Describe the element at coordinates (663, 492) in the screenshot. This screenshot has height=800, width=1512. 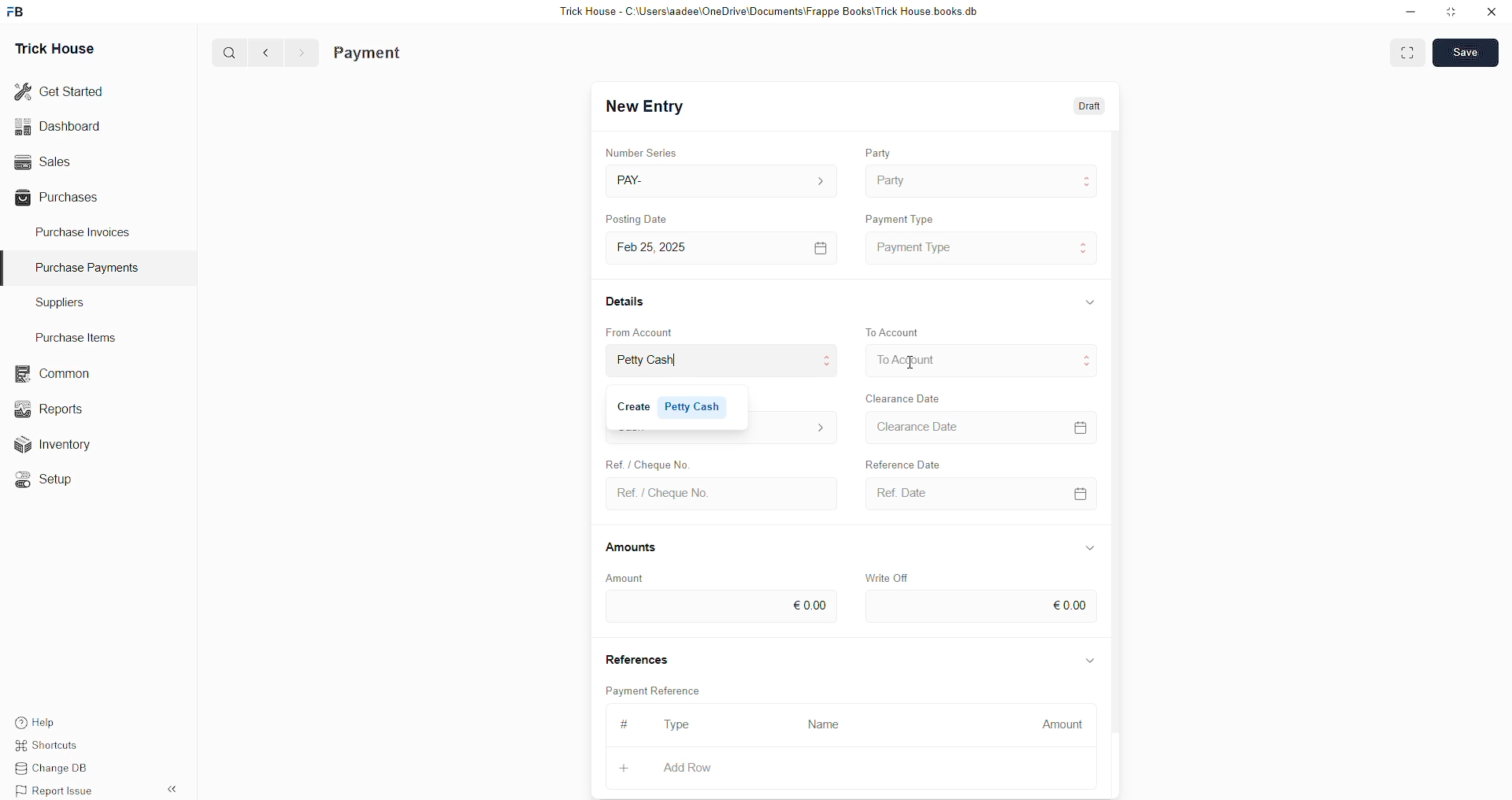
I see `Ref. / Cheque No.` at that location.